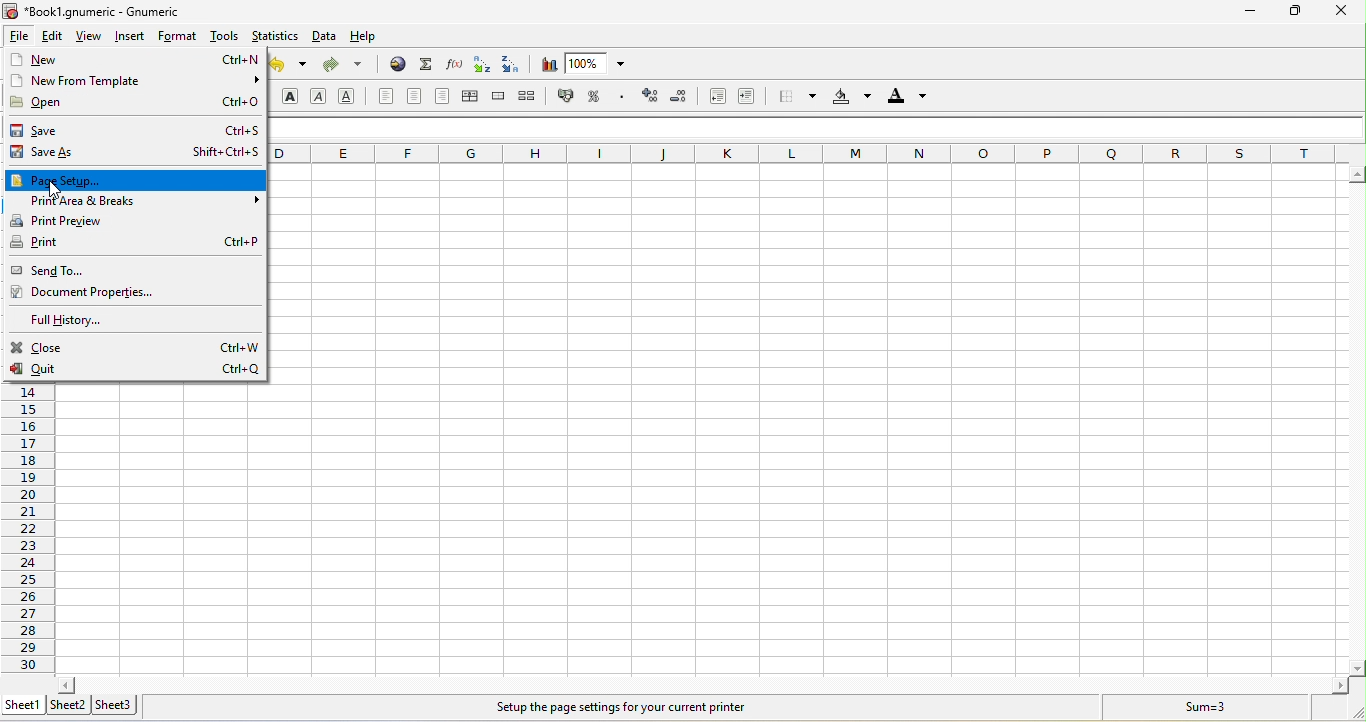  Describe the element at coordinates (681, 98) in the screenshot. I see `decrease the number` at that location.